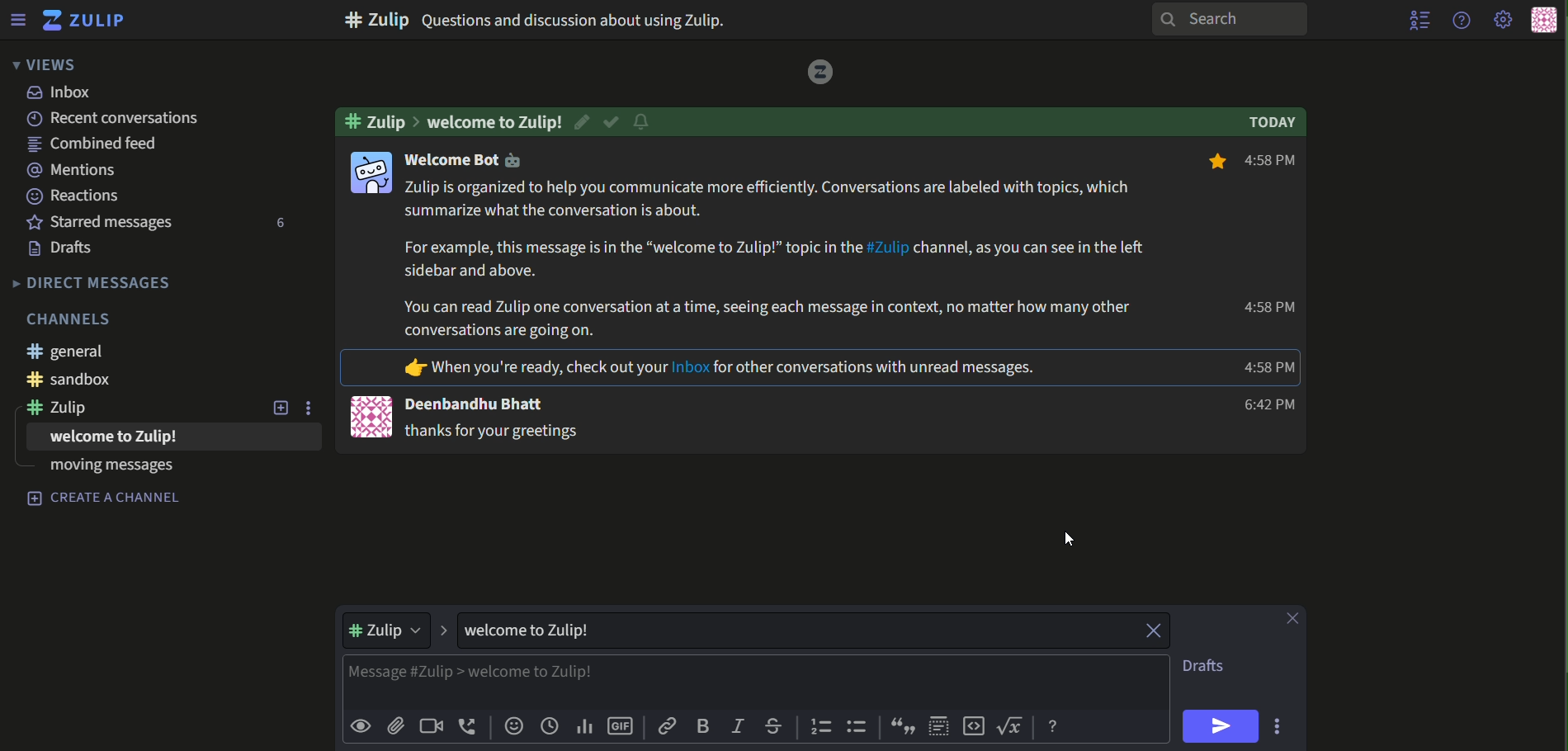 The image size is (1568, 751). I want to click on number formatting, so click(819, 728).